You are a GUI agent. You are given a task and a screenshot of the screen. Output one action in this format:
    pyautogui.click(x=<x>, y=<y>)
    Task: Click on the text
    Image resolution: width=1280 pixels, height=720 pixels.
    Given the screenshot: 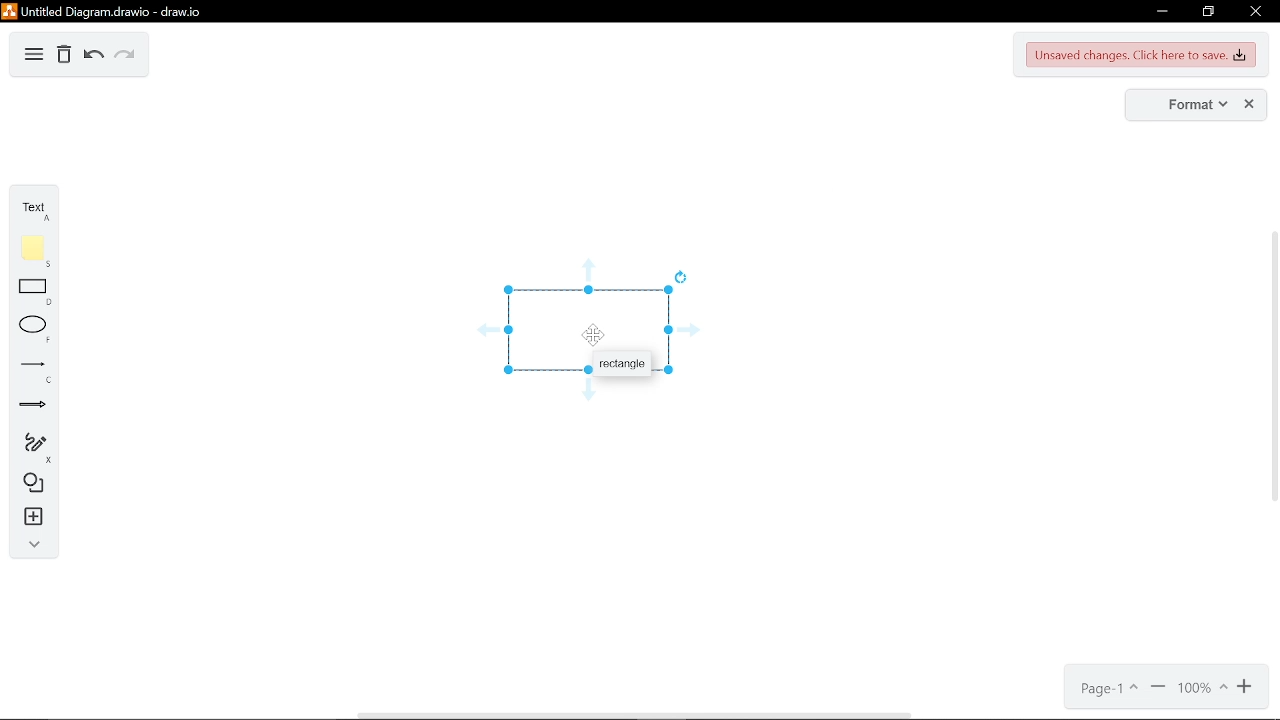 What is the action you would take?
    pyautogui.click(x=38, y=211)
    